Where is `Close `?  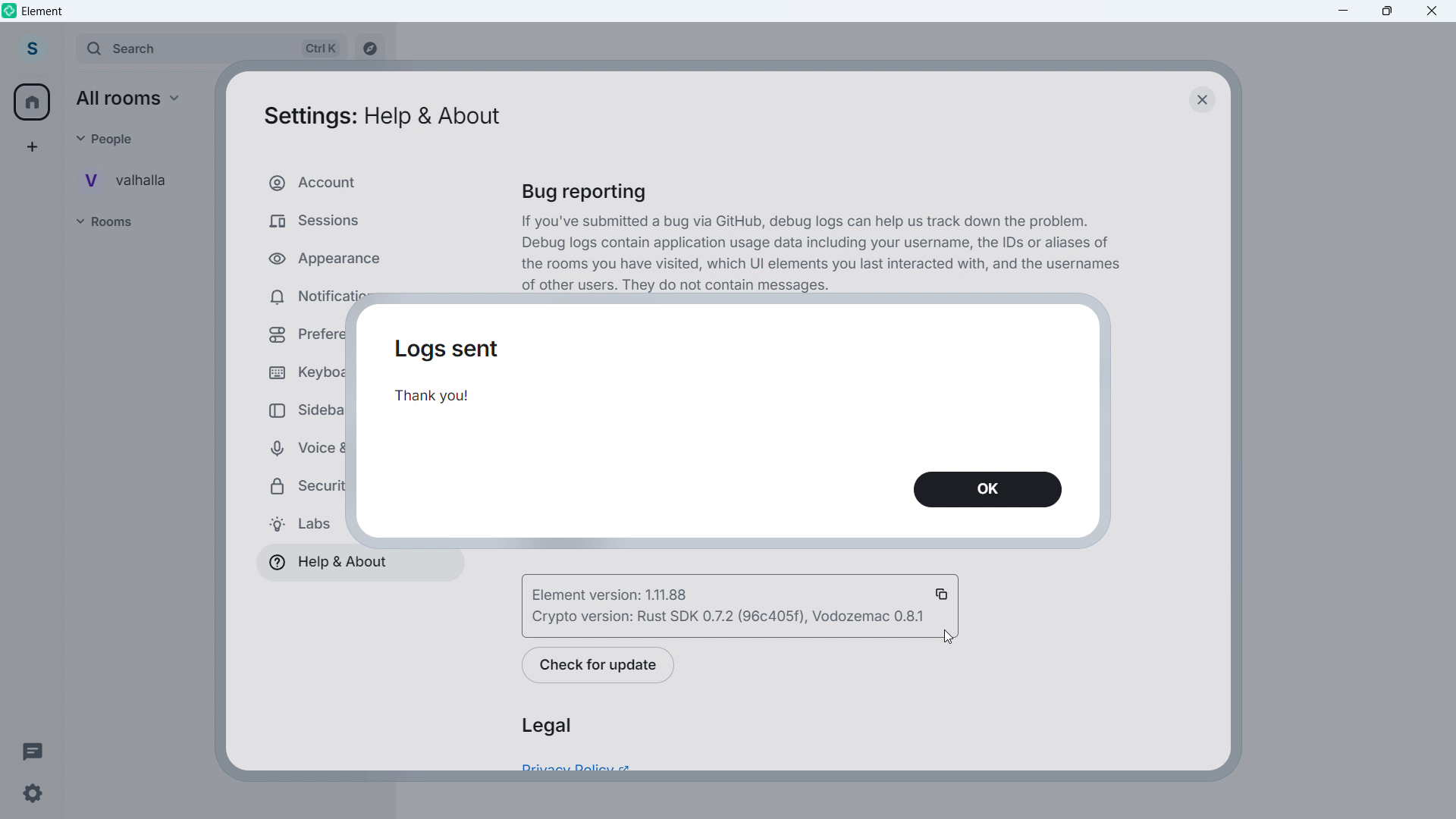 Close  is located at coordinates (1432, 11).